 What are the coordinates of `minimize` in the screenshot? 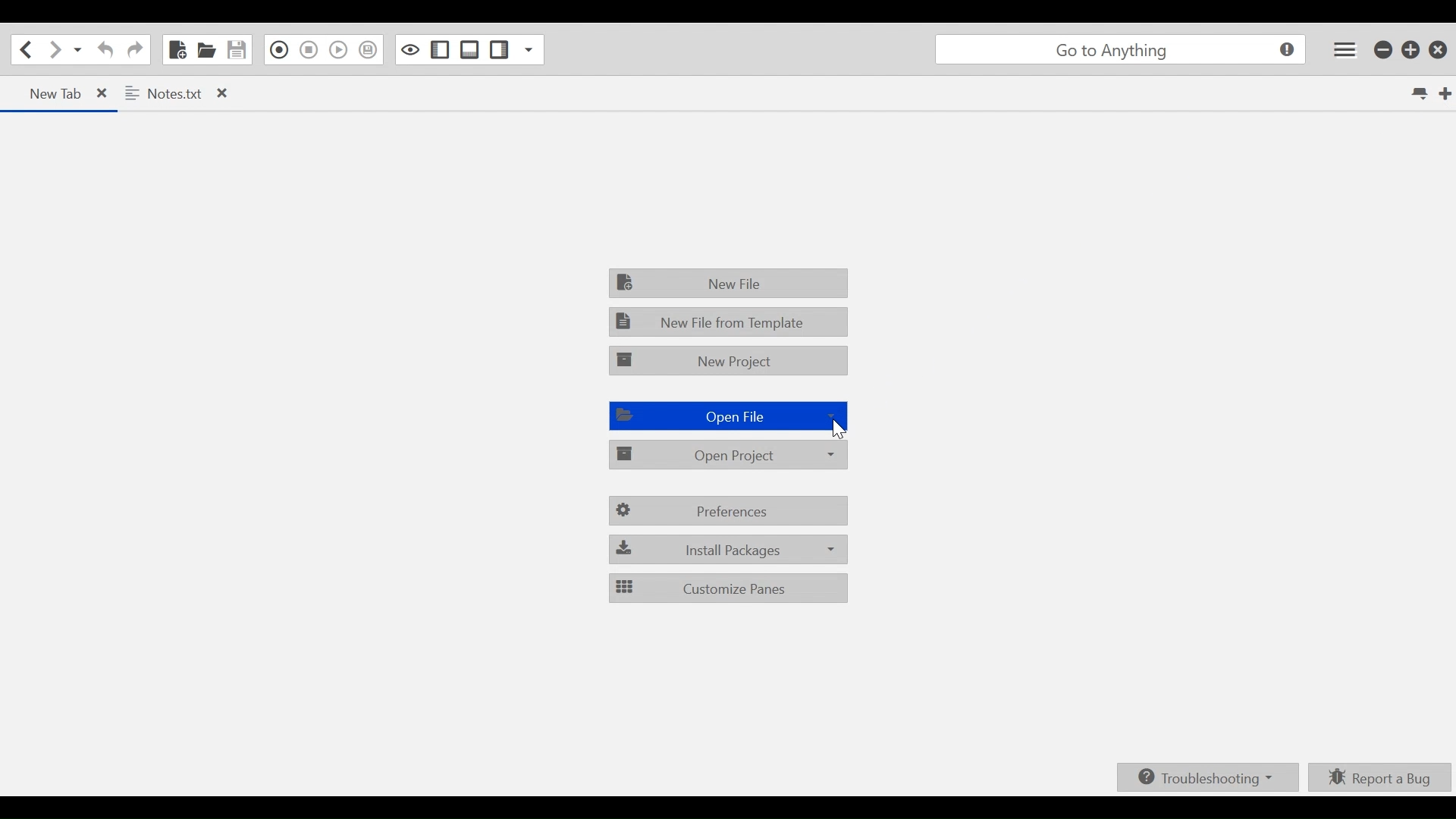 It's located at (1382, 50).